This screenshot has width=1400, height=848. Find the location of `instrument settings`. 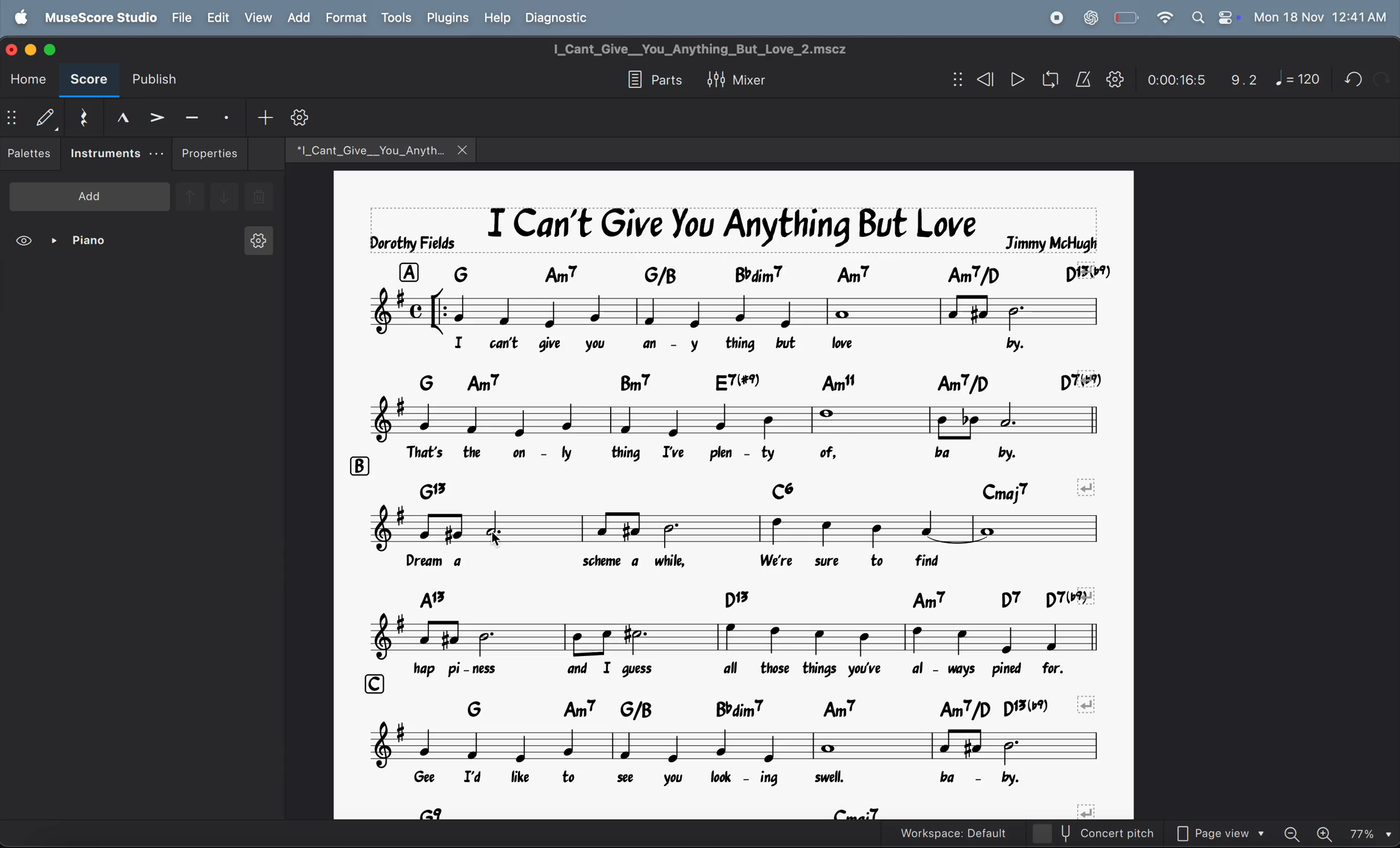

instrument settings is located at coordinates (251, 240).